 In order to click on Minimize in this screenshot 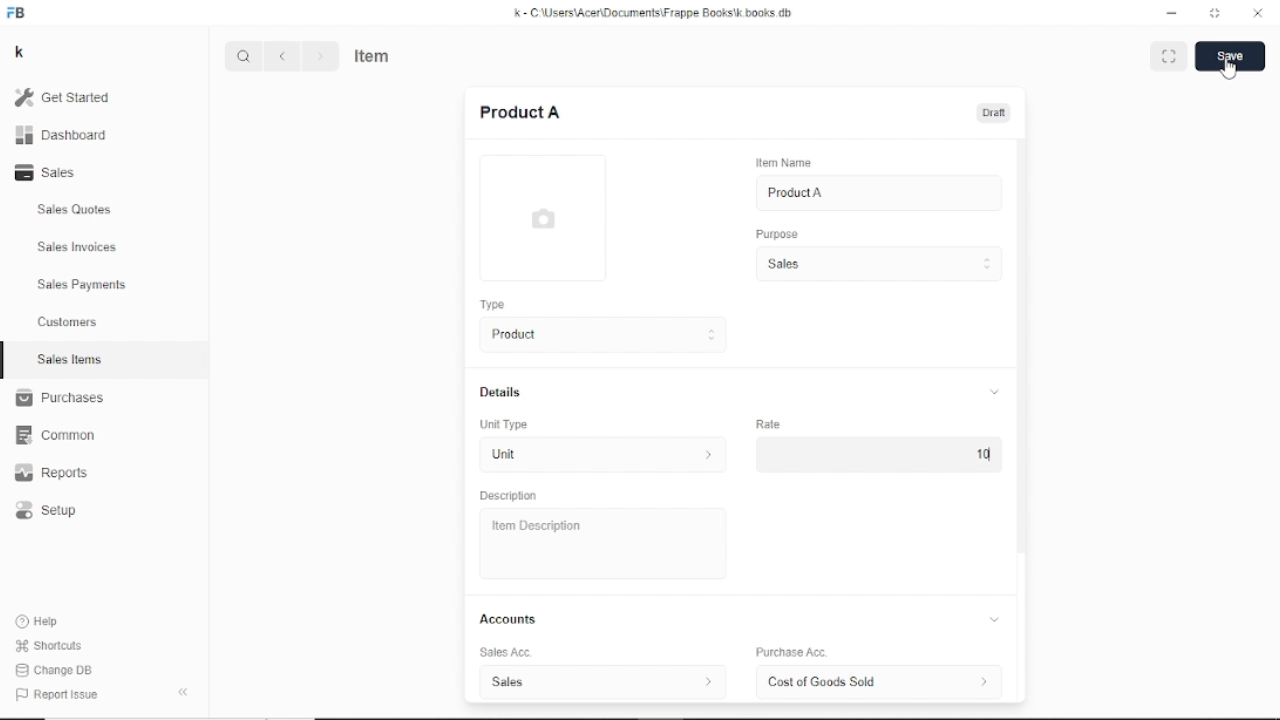, I will do `click(1173, 14)`.